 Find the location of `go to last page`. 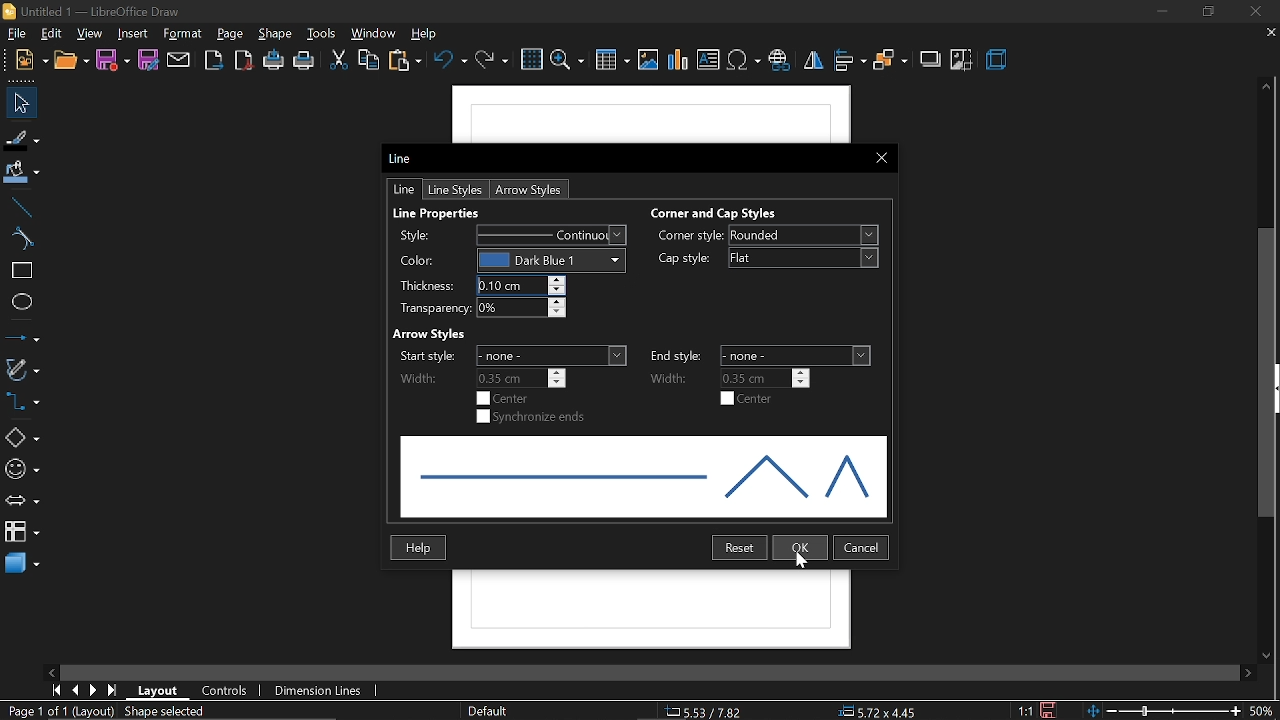

go to last page is located at coordinates (112, 690).